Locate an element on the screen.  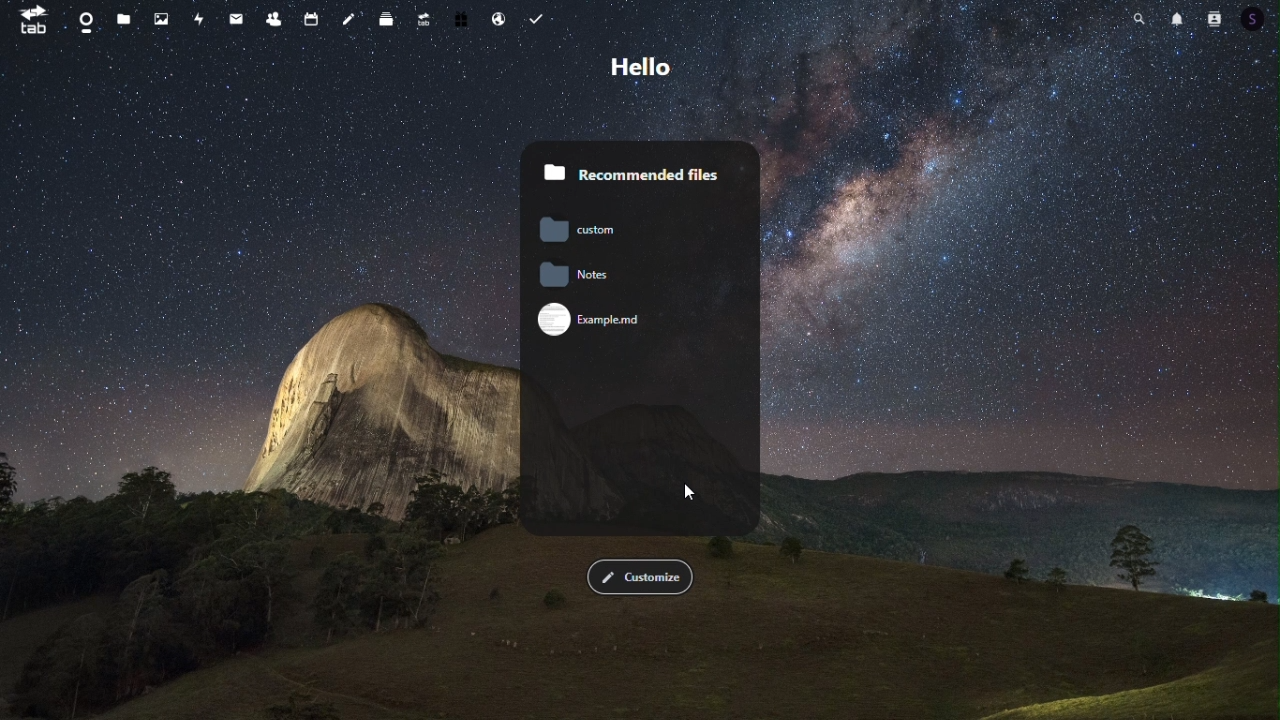
tab is located at coordinates (34, 22).